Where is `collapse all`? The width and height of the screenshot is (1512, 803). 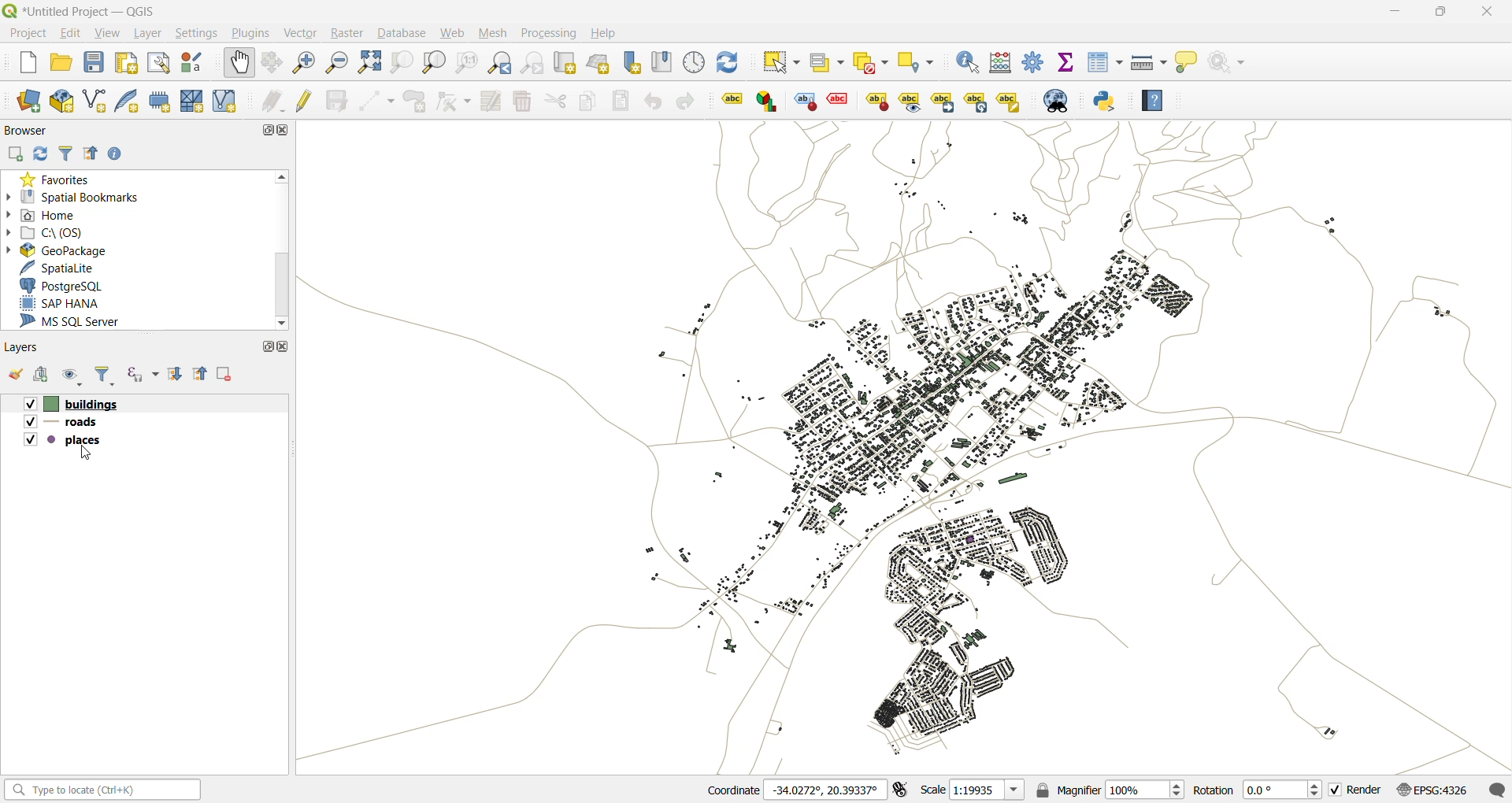 collapse all is located at coordinates (89, 154).